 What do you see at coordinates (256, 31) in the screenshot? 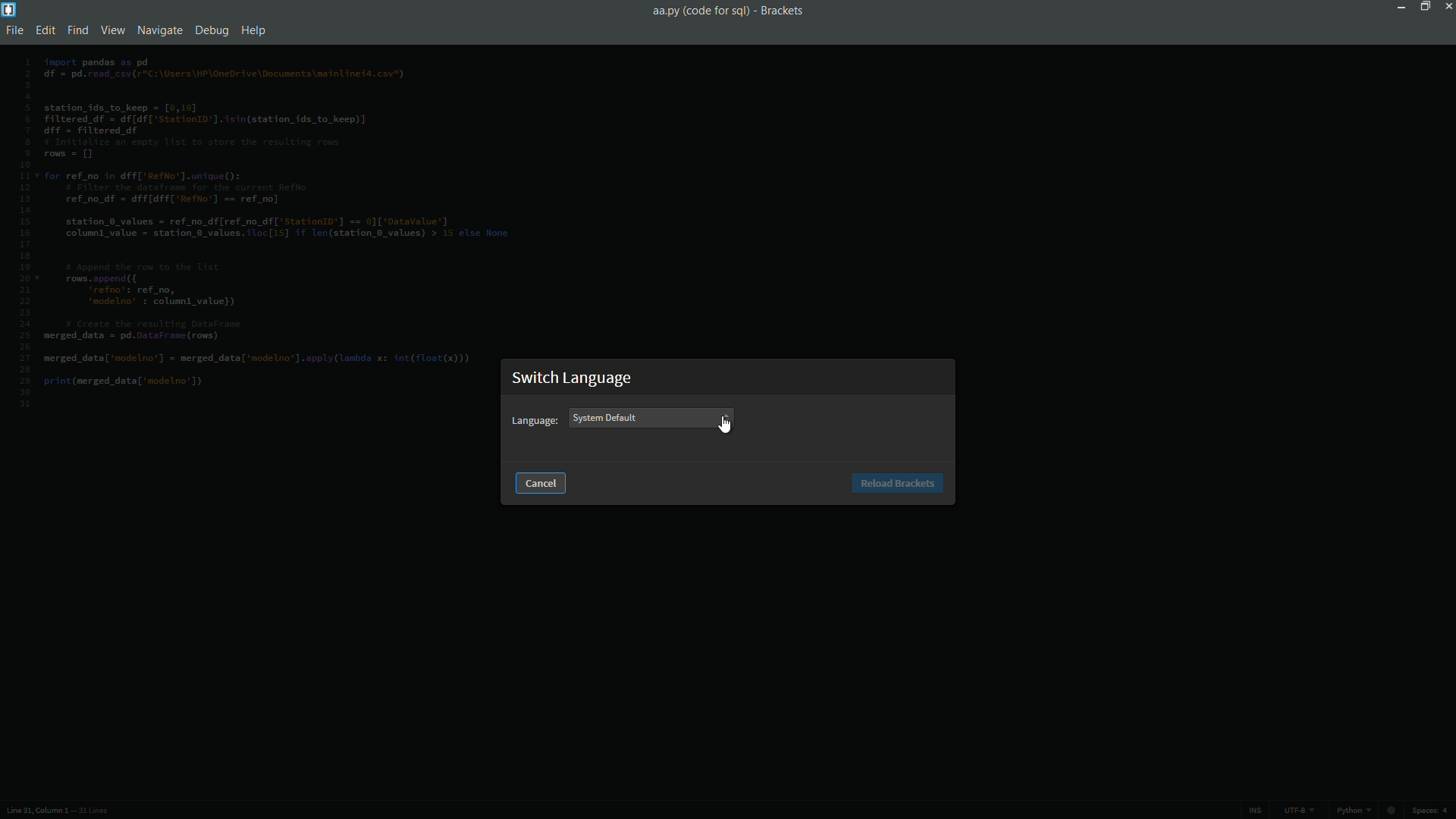
I see `help menu` at bounding box center [256, 31].